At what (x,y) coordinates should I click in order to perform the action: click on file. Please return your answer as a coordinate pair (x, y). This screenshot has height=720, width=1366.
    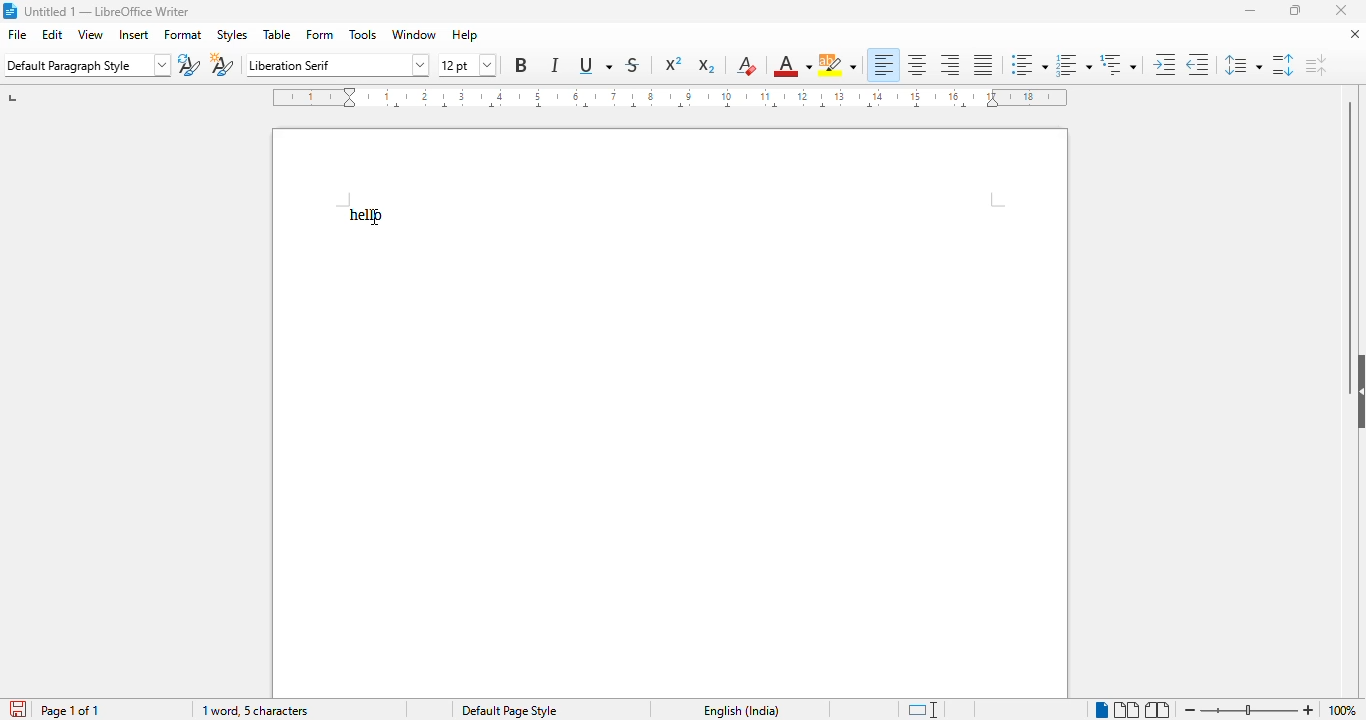
    Looking at the image, I should click on (16, 34).